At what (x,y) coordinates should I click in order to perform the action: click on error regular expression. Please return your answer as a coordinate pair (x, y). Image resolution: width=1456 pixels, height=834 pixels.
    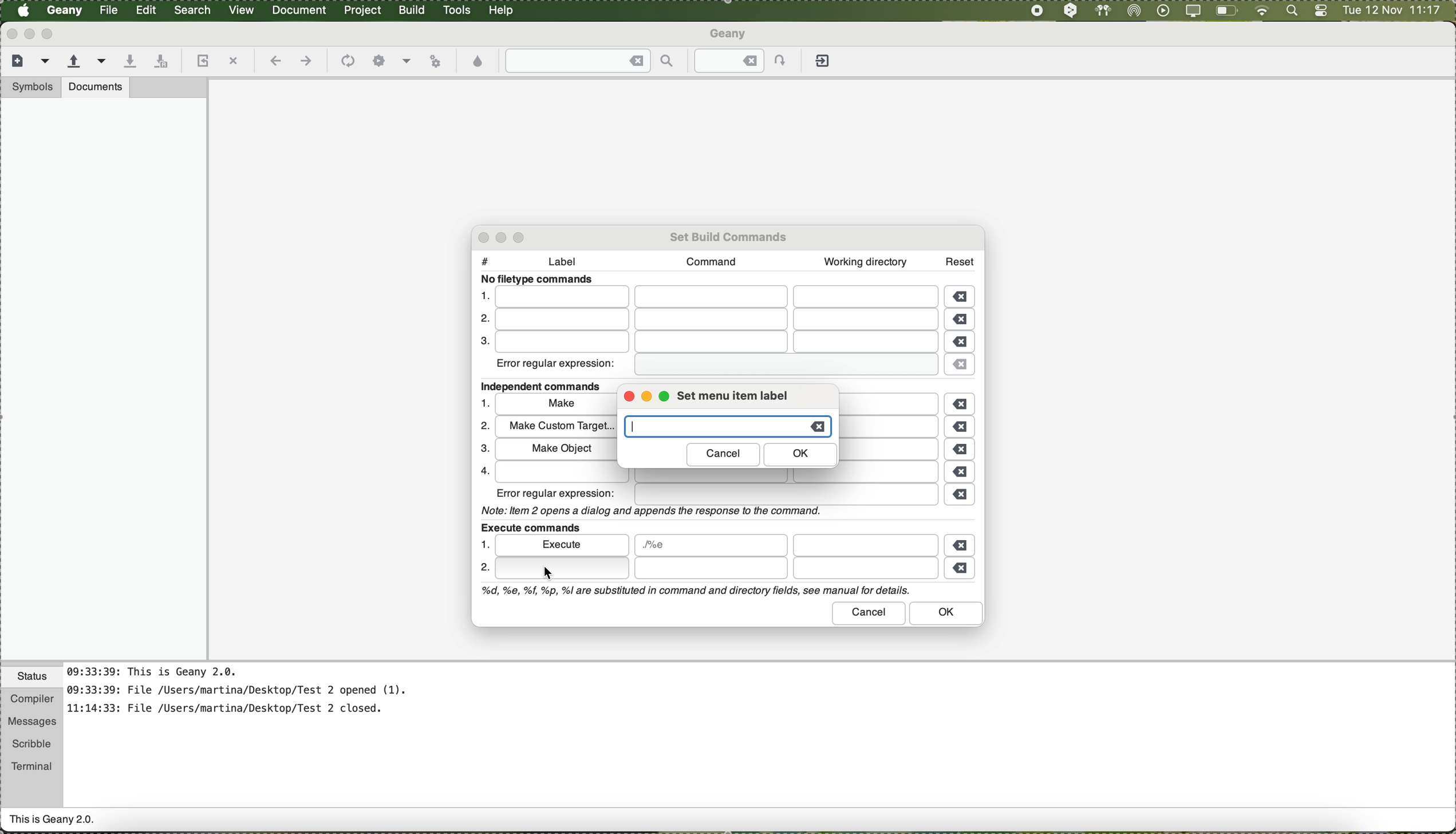
    Looking at the image, I should click on (557, 366).